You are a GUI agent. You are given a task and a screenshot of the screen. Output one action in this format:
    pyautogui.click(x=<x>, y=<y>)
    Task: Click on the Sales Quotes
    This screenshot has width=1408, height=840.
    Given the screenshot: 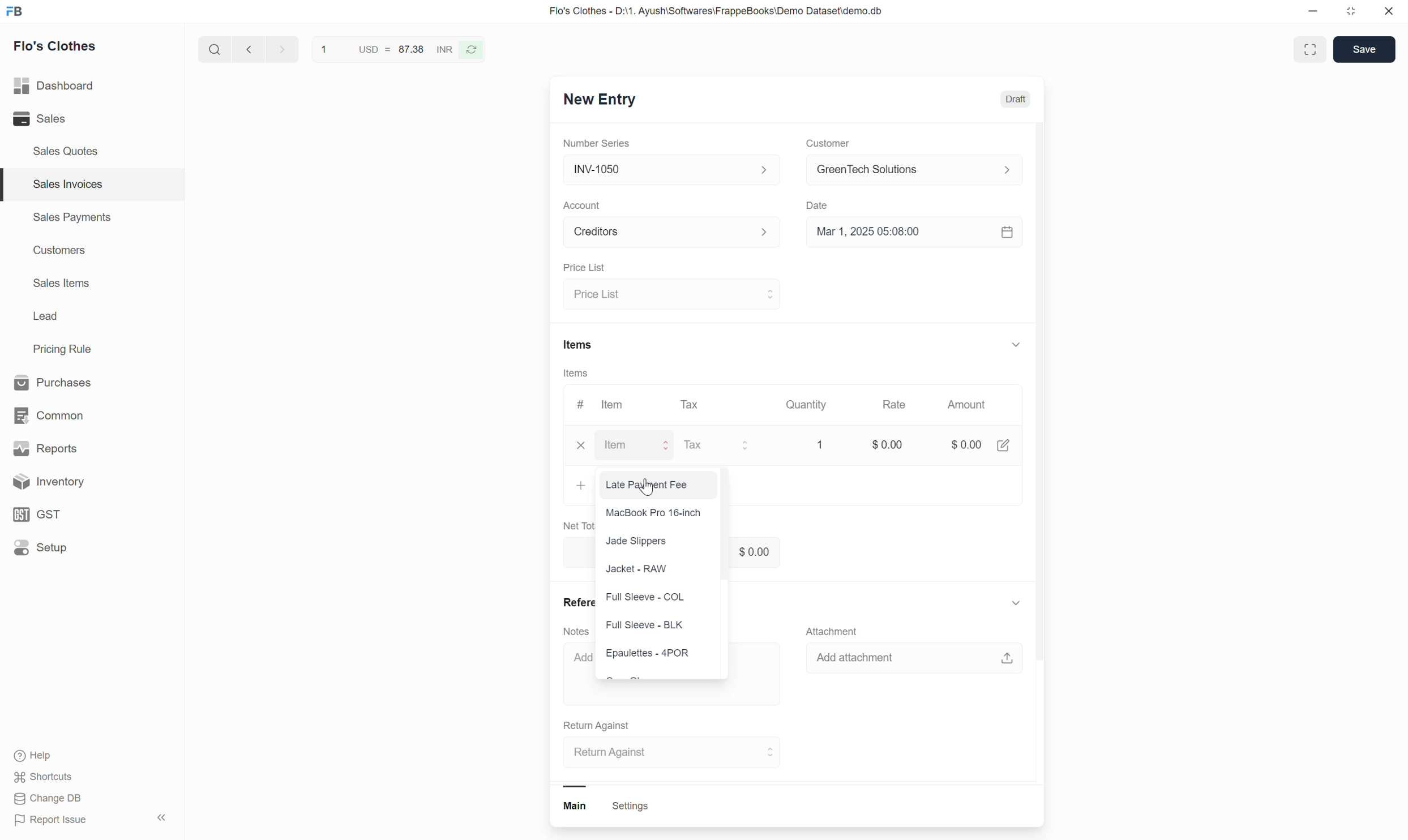 What is the action you would take?
    pyautogui.click(x=66, y=151)
    